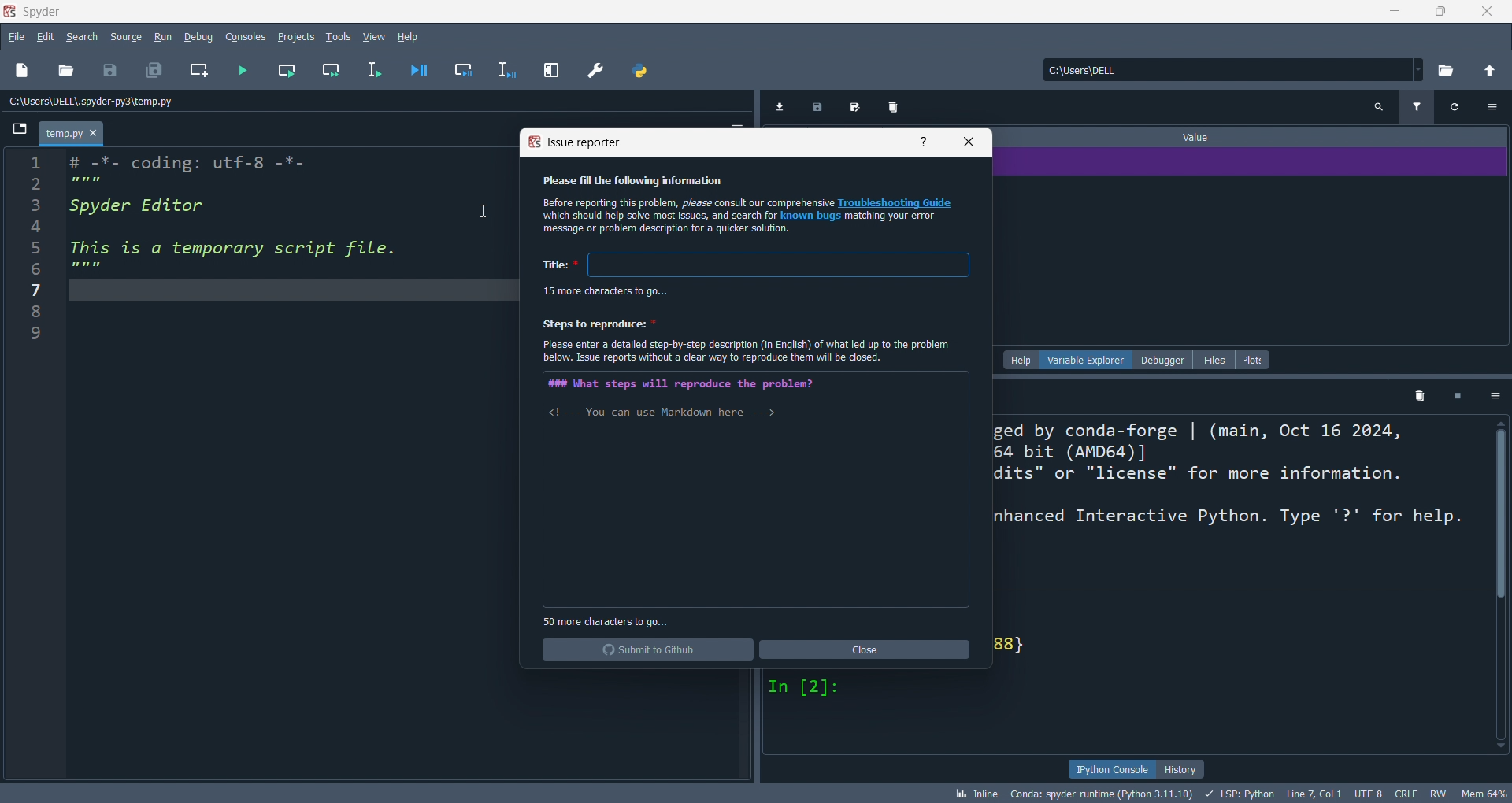  I want to click on tools, so click(339, 38).